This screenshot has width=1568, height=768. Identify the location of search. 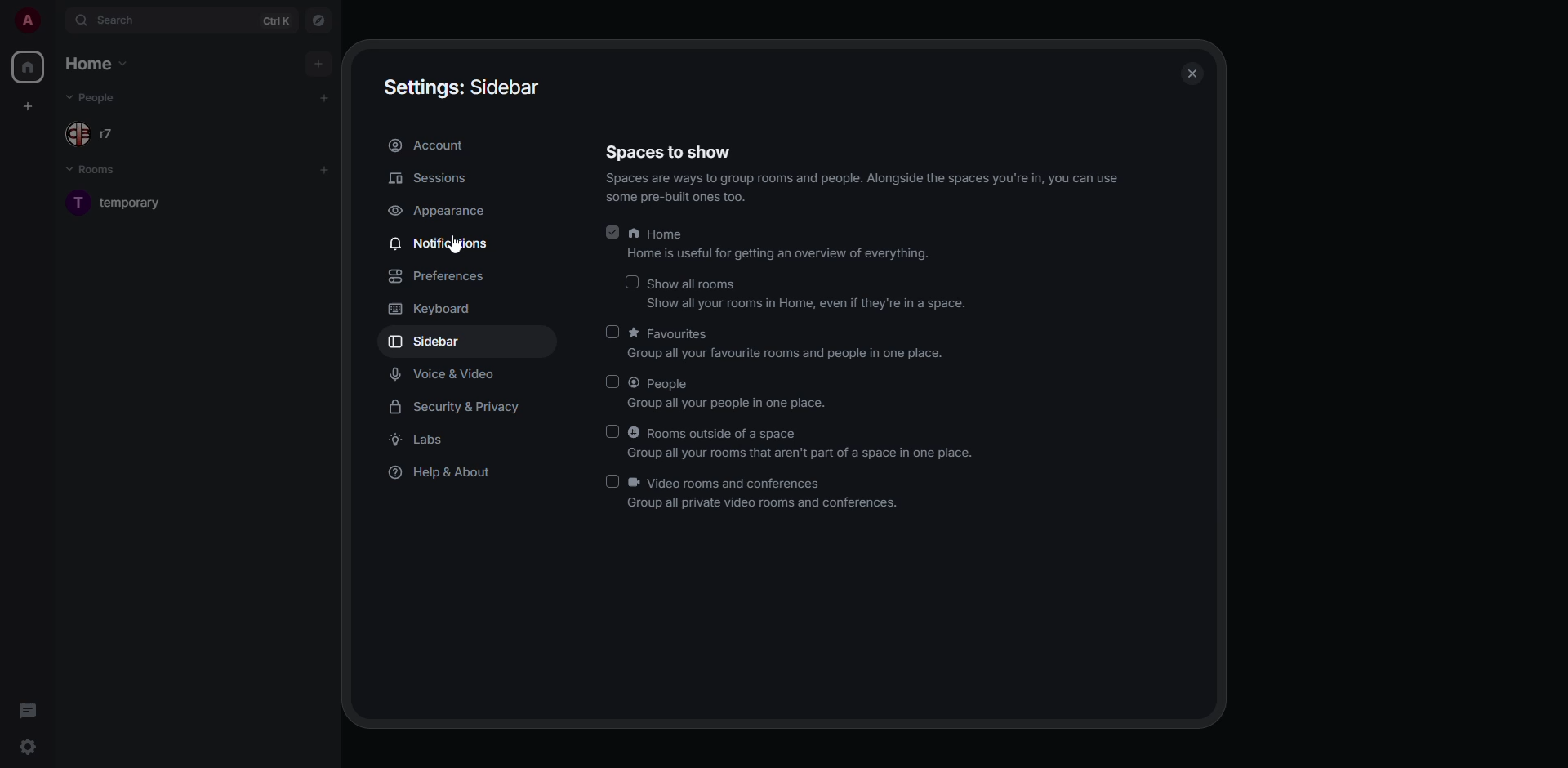
(122, 19).